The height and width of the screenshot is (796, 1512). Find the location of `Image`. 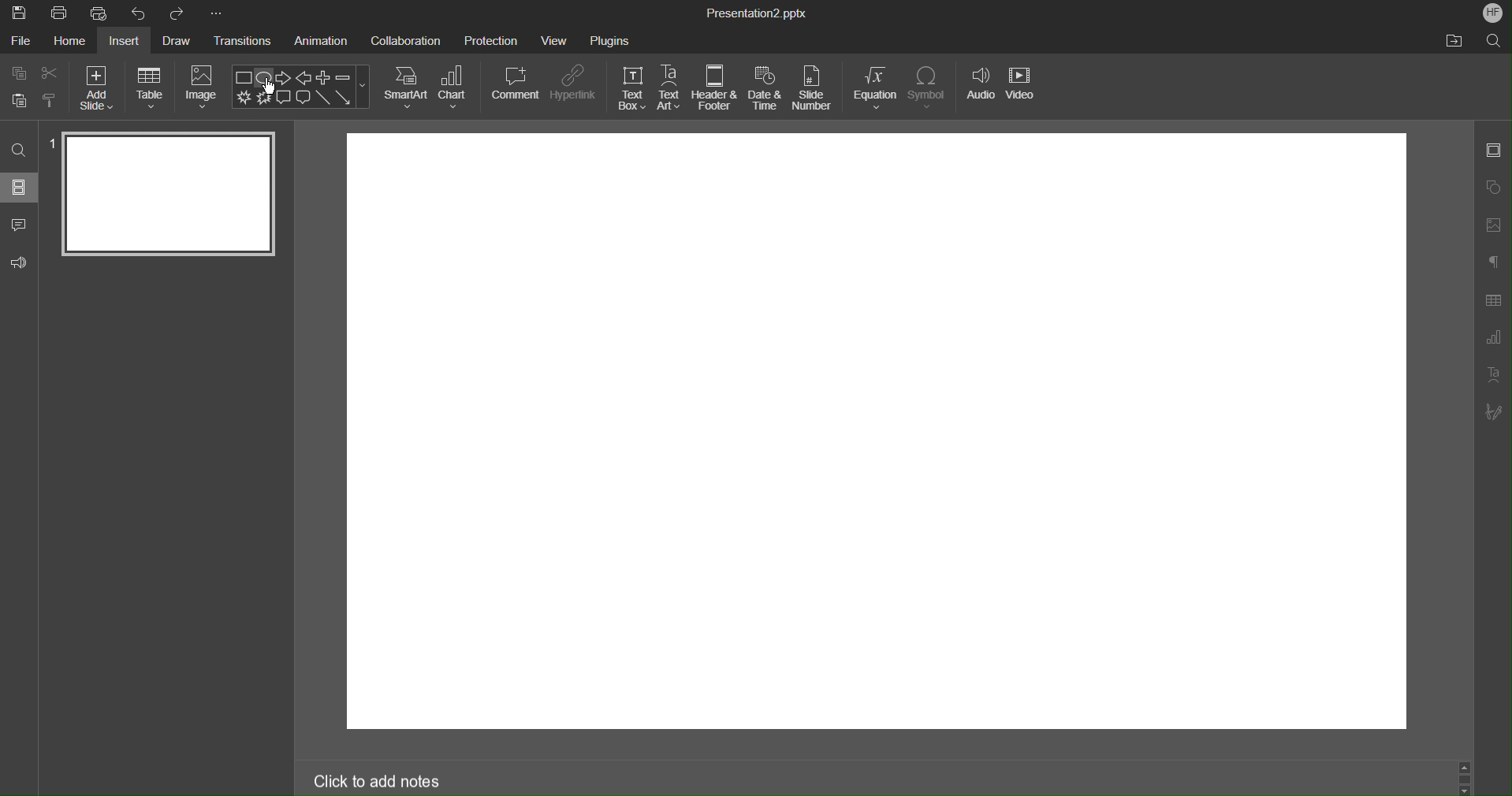

Image is located at coordinates (203, 87).